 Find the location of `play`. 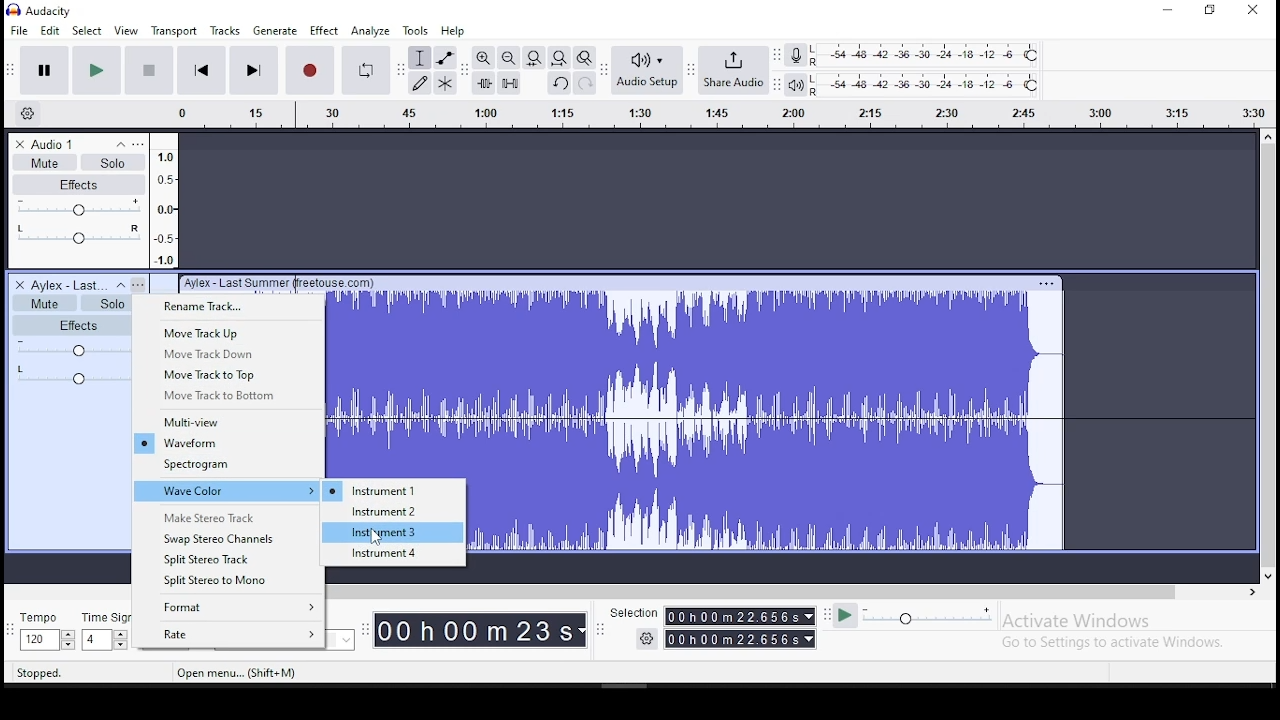

play is located at coordinates (96, 71).